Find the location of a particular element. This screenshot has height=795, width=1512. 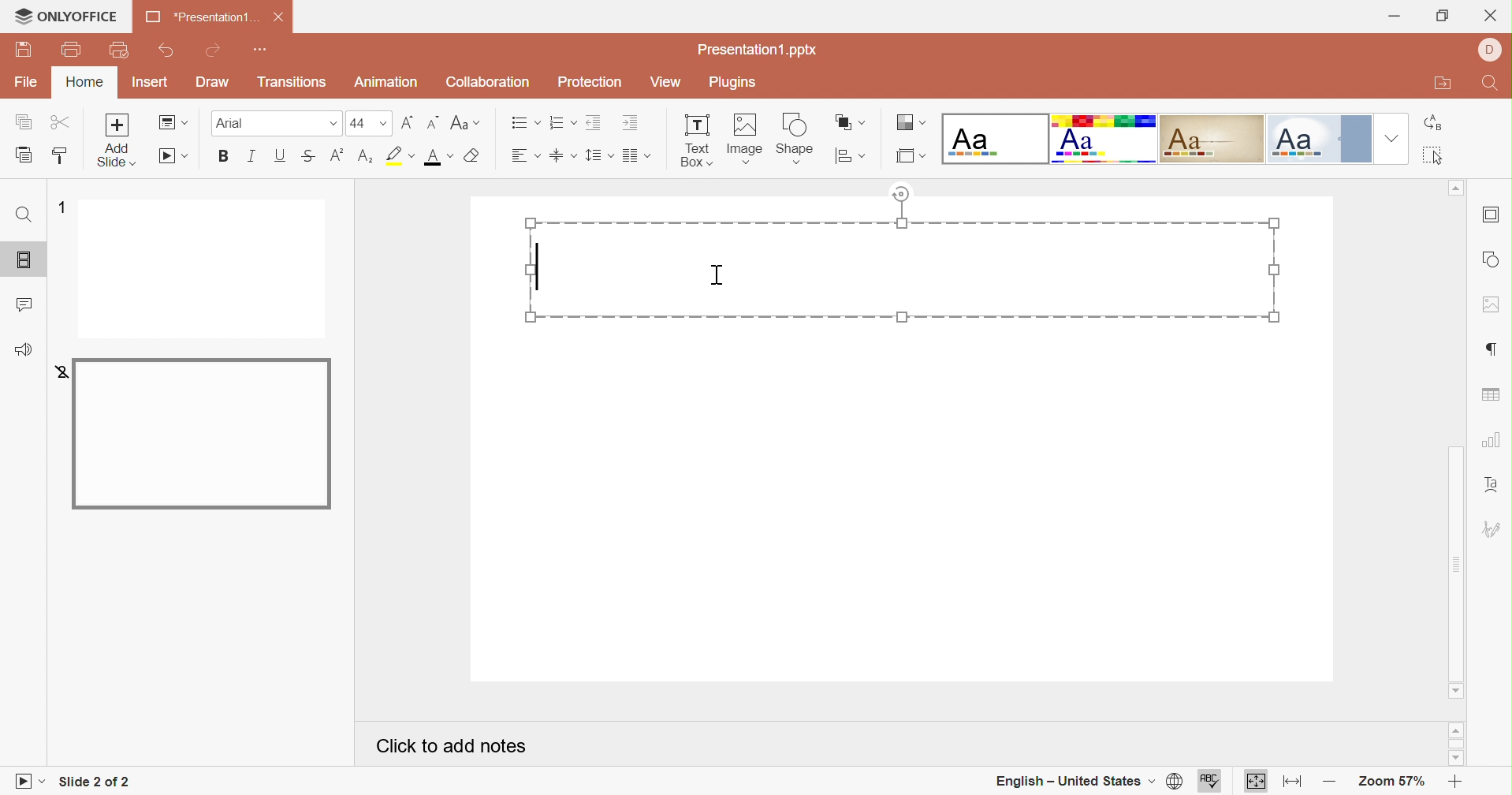

Chart settings is located at coordinates (1493, 444).